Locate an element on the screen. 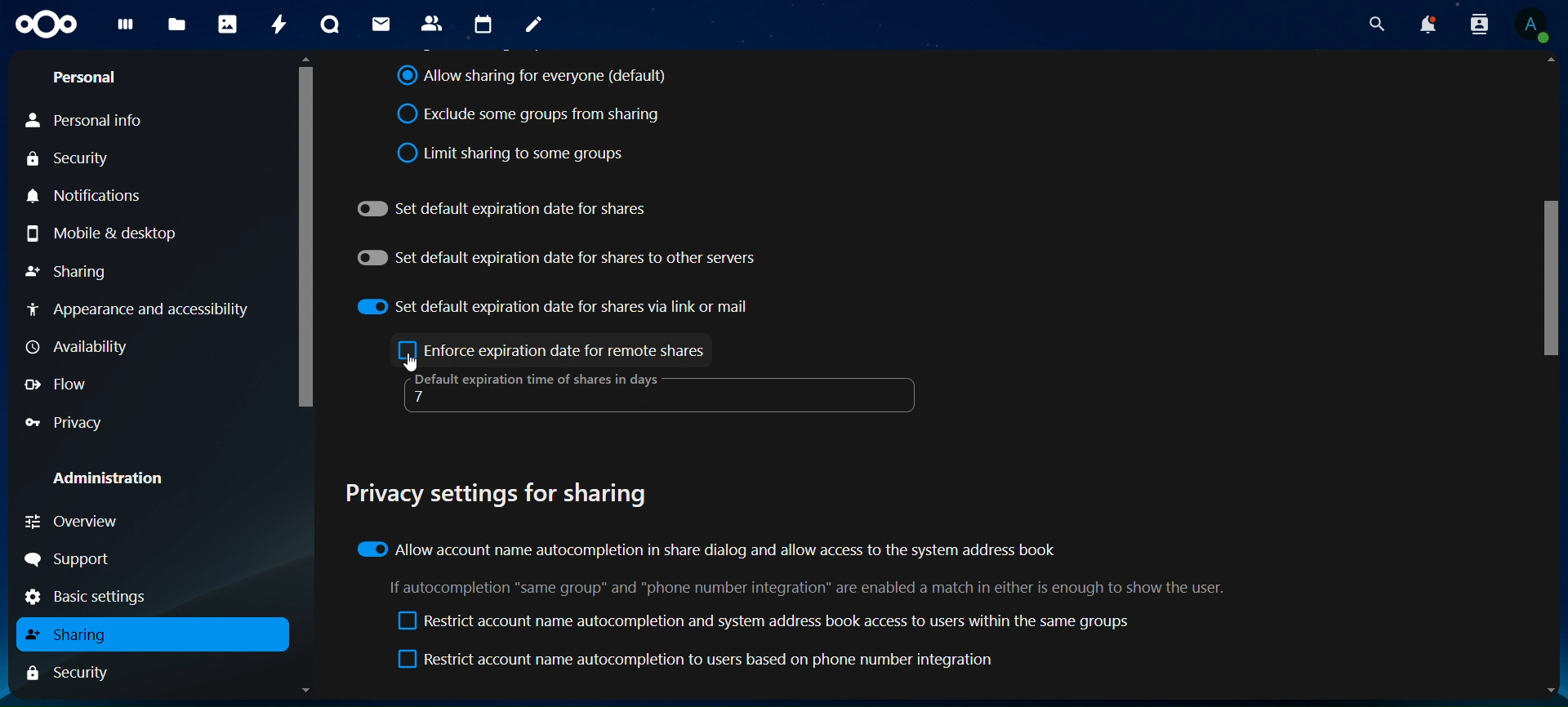 The width and height of the screenshot is (1568, 707). photos is located at coordinates (225, 23).